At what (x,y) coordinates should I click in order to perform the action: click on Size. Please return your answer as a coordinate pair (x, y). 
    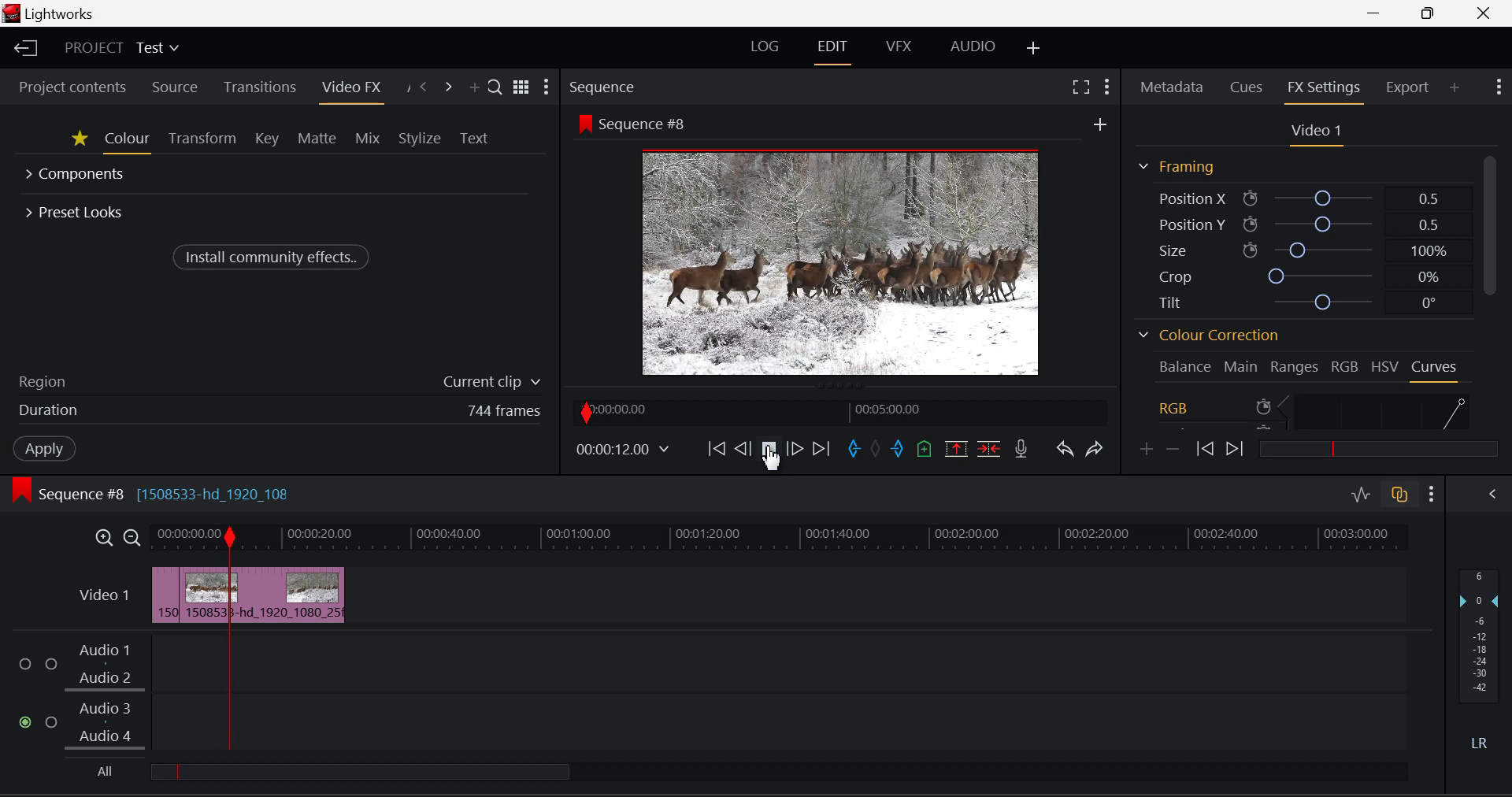
    Looking at the image, I should click on (1299, 250).